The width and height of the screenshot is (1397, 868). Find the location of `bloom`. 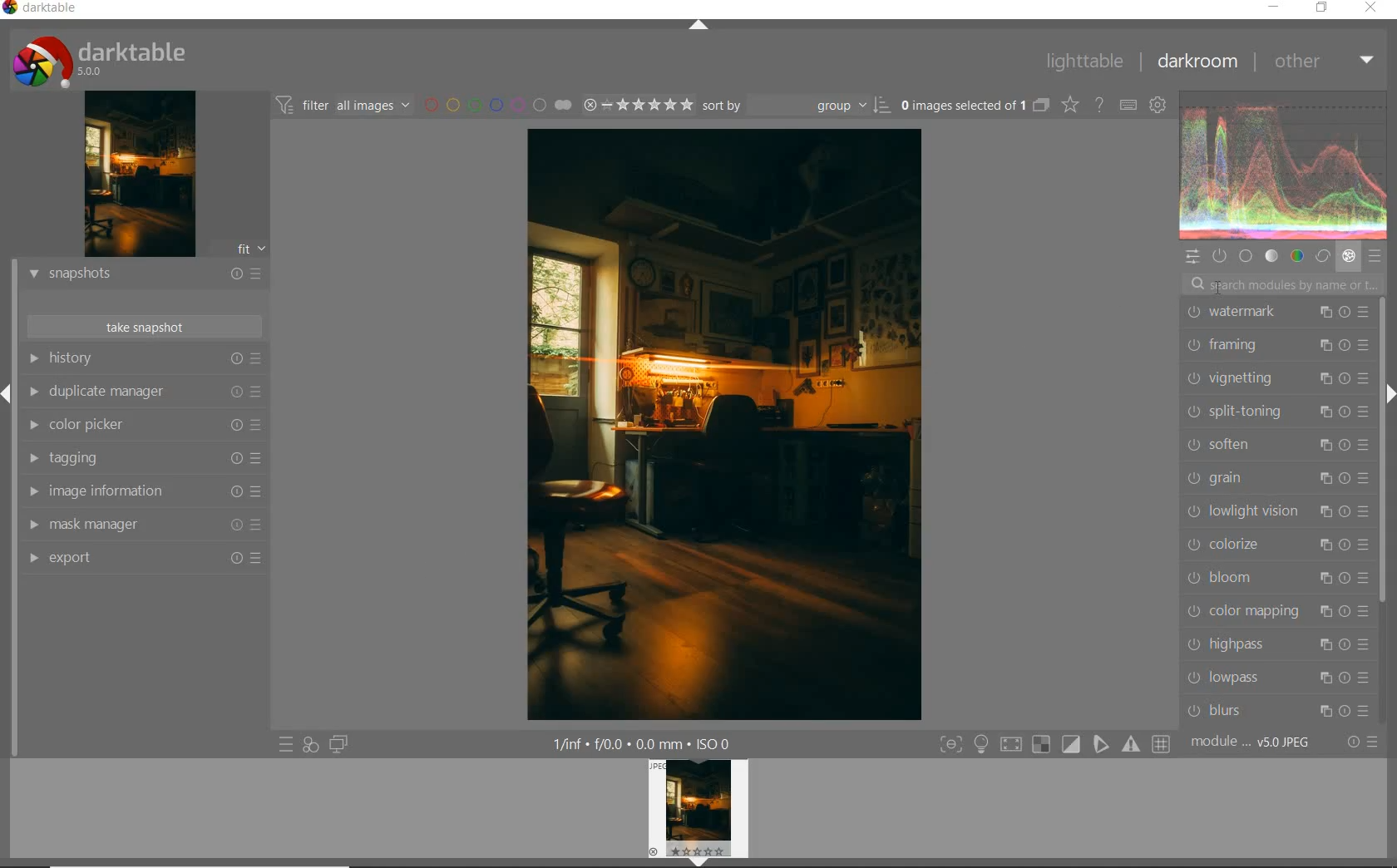

bloom is located at coordinates (1274, 577).